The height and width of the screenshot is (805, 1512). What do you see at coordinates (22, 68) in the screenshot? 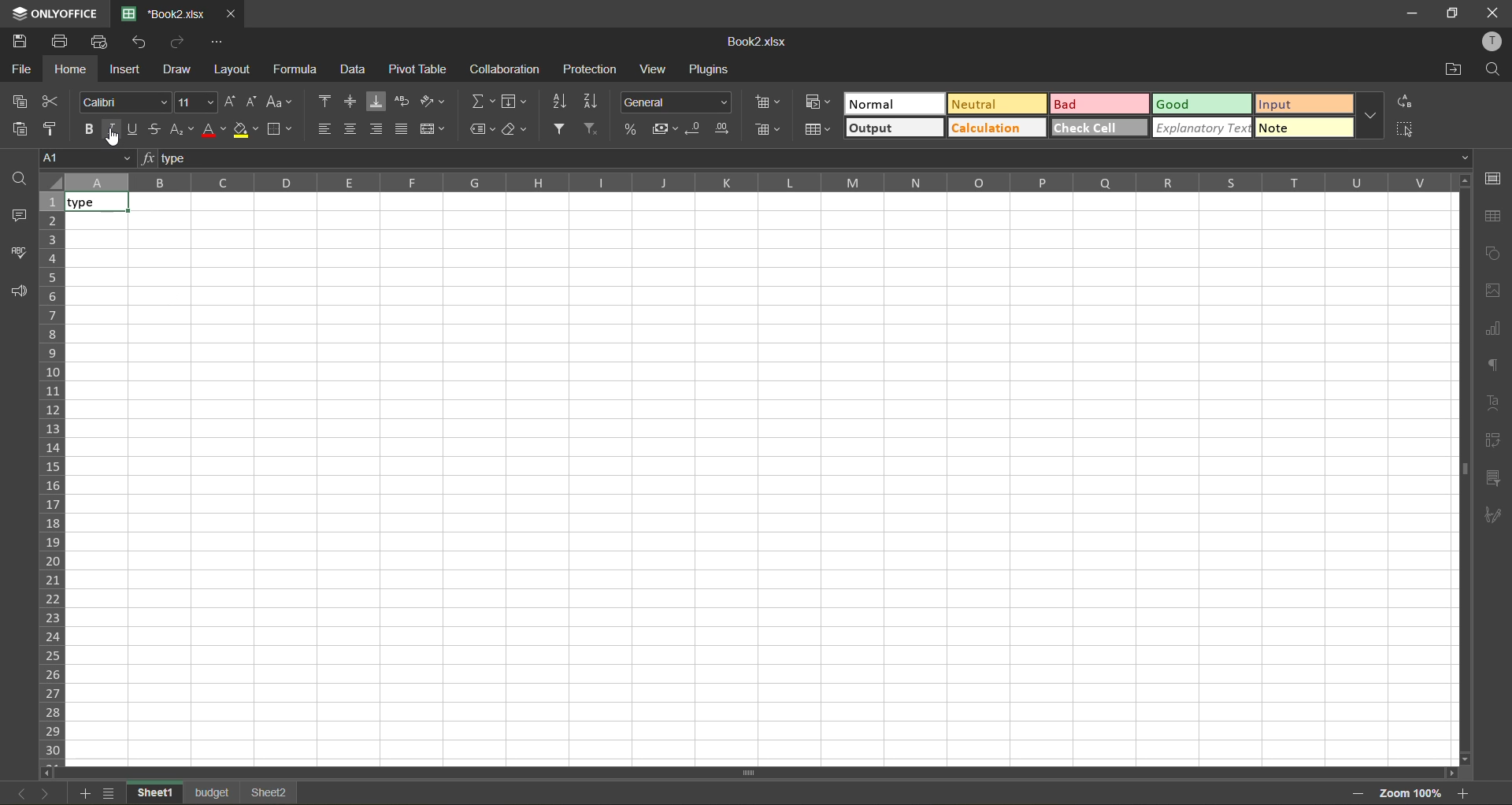
I see `file` at bounding box center [22, 68].